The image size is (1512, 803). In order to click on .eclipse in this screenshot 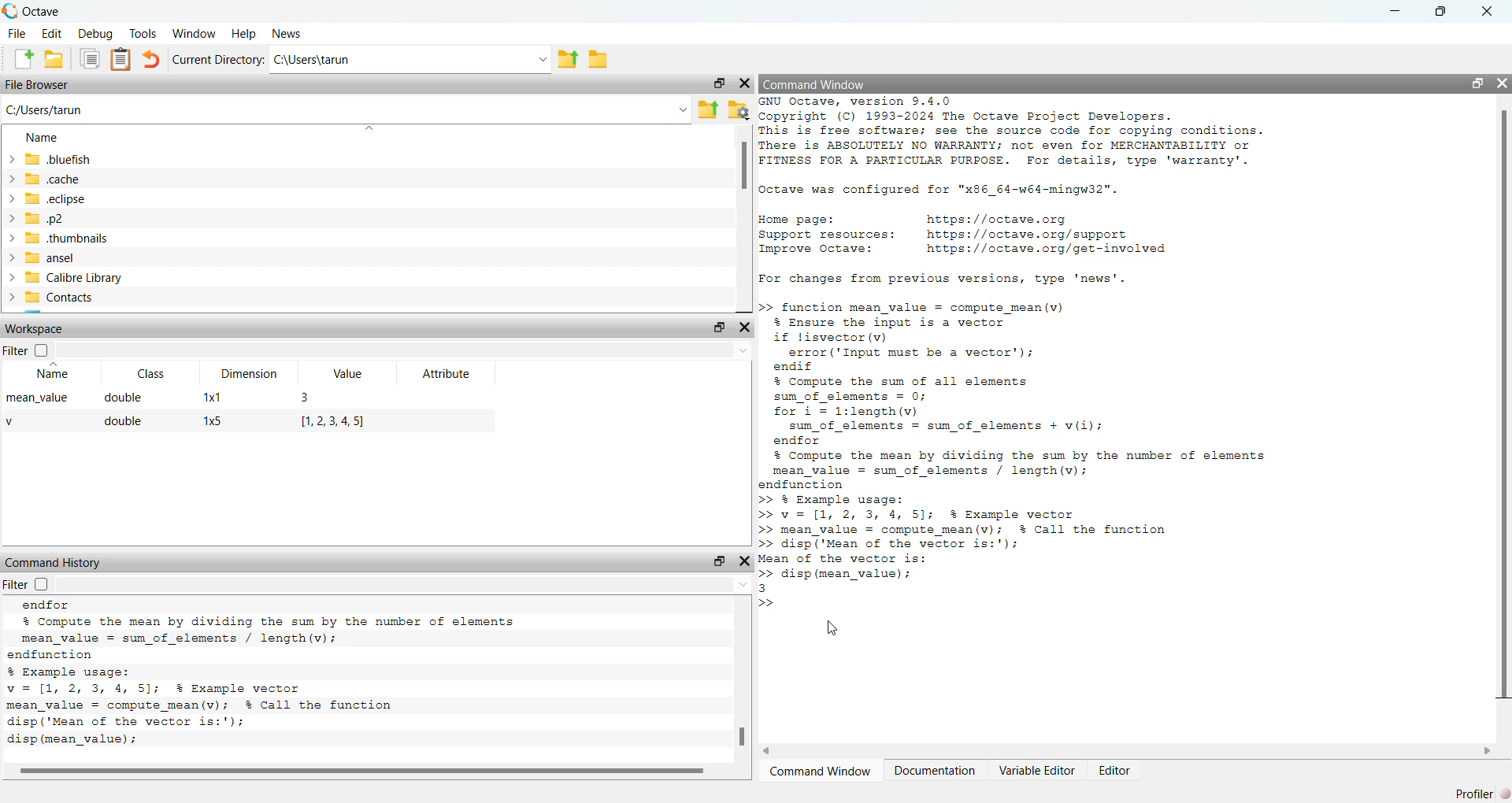, I will do `click(56, 198)`.